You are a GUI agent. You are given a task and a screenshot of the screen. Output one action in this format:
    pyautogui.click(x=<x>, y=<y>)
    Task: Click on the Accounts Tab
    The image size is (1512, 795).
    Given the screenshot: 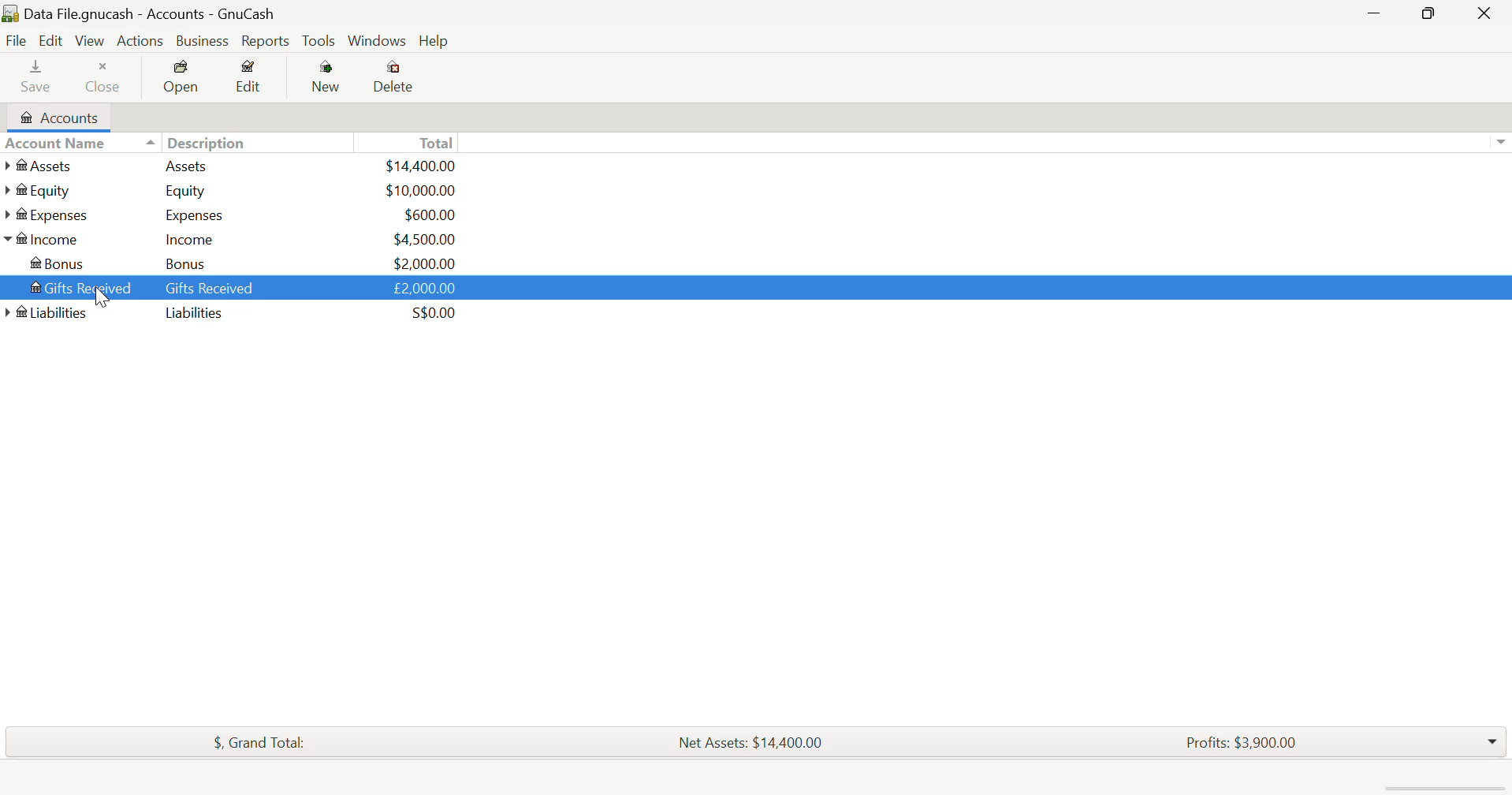 What is the action you would take?
    pyautogui.click(x=56, y=116)
    